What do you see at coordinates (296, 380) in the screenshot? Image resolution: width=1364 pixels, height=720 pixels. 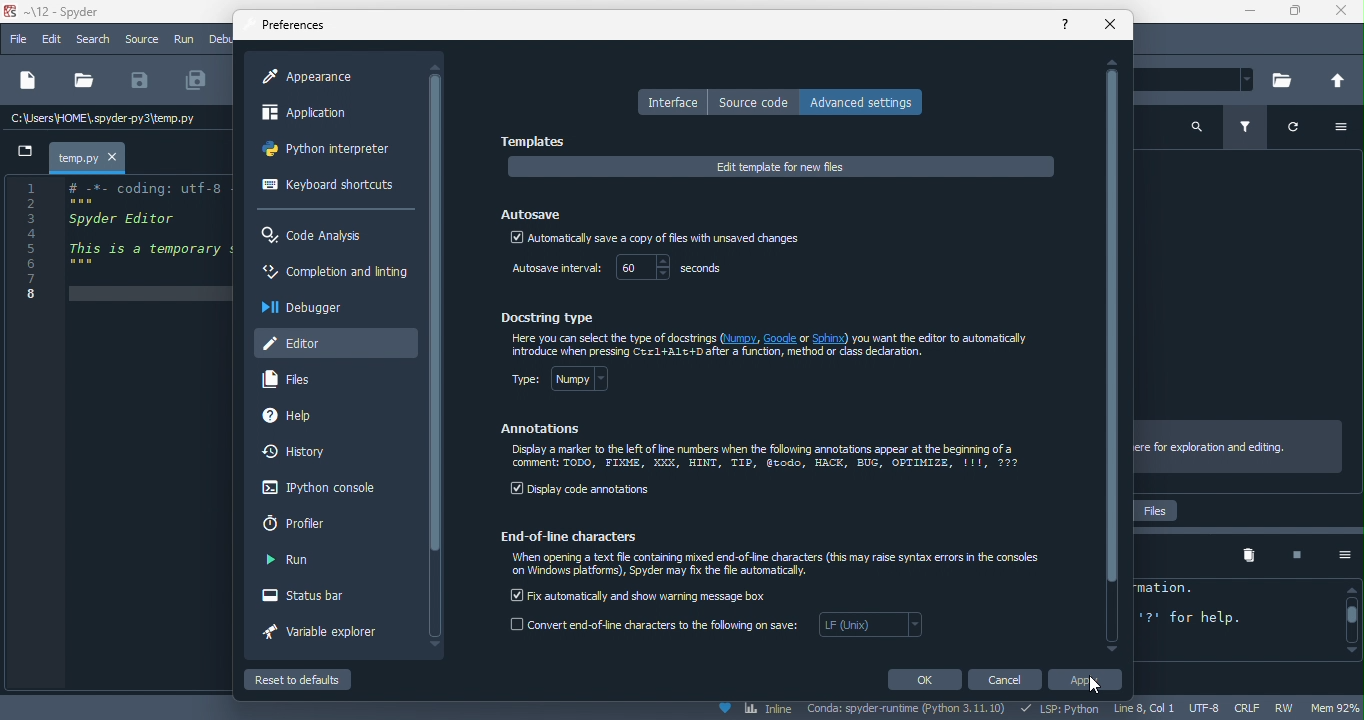 I see `files` at bounding box center [296, 380].